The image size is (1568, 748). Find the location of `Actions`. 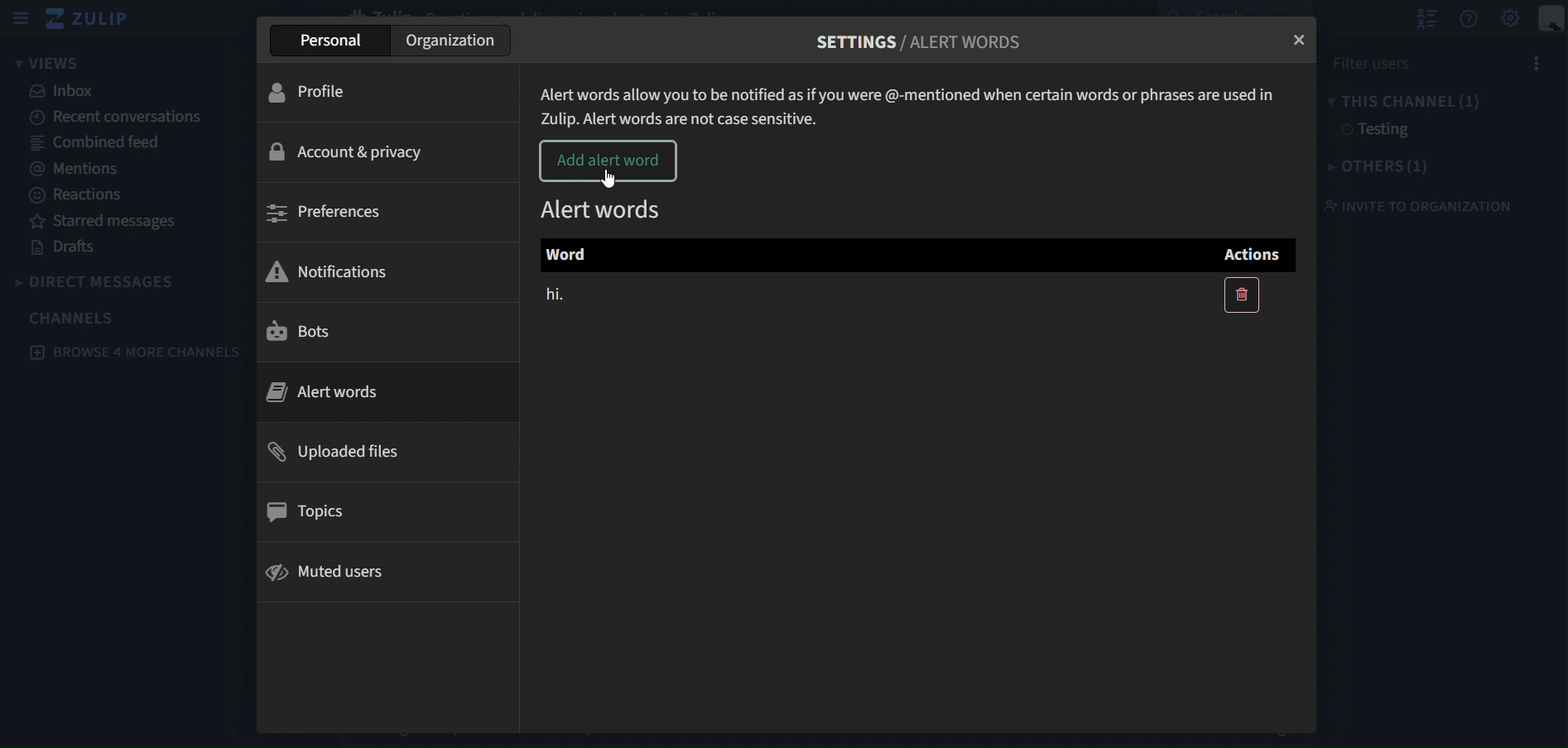

Actions is located at coordinates (1249, 254).